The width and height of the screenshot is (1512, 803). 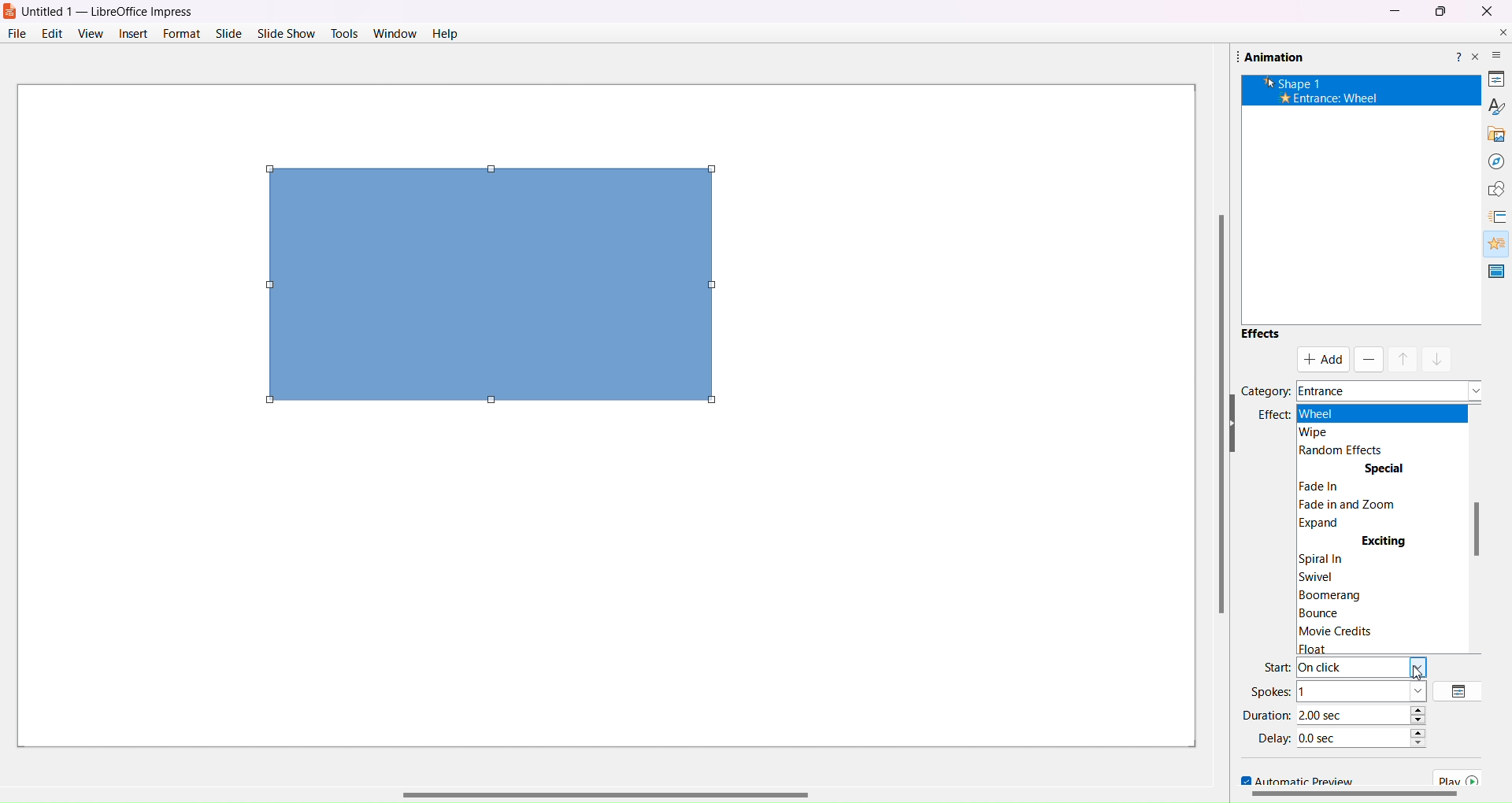 What do you see at coordinates (345, 32) in the screenshot?
I see `Tools` at bounding box center [345, 32].